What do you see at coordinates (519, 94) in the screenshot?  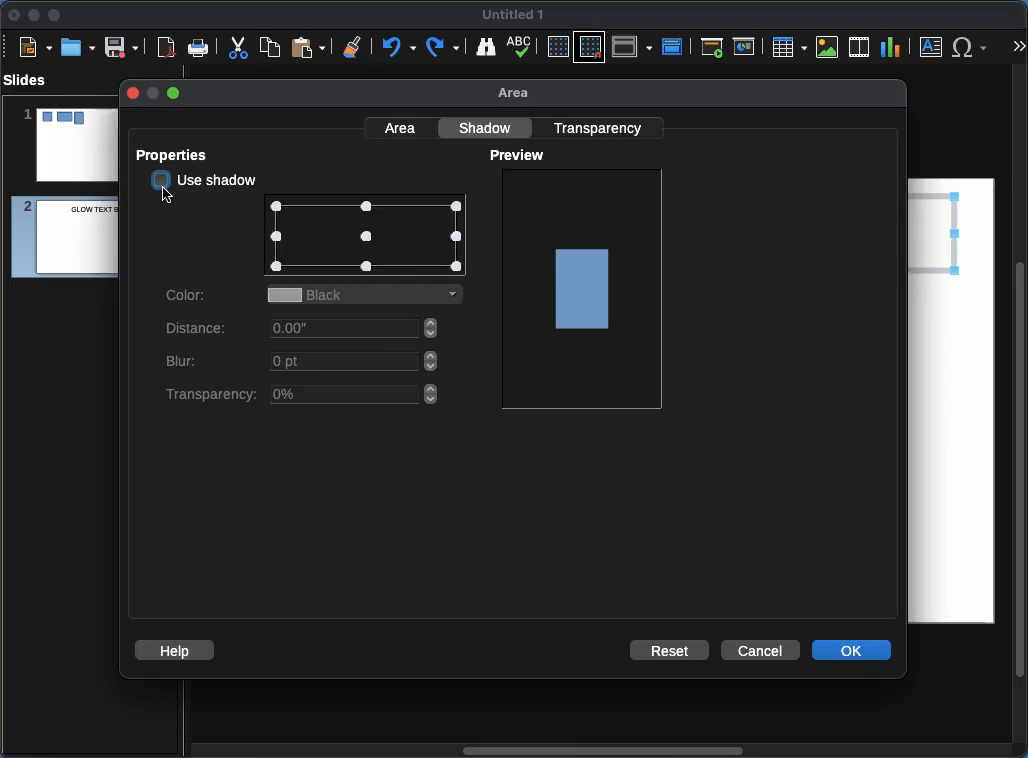 I see `Area` at bounding box center [519, 94].